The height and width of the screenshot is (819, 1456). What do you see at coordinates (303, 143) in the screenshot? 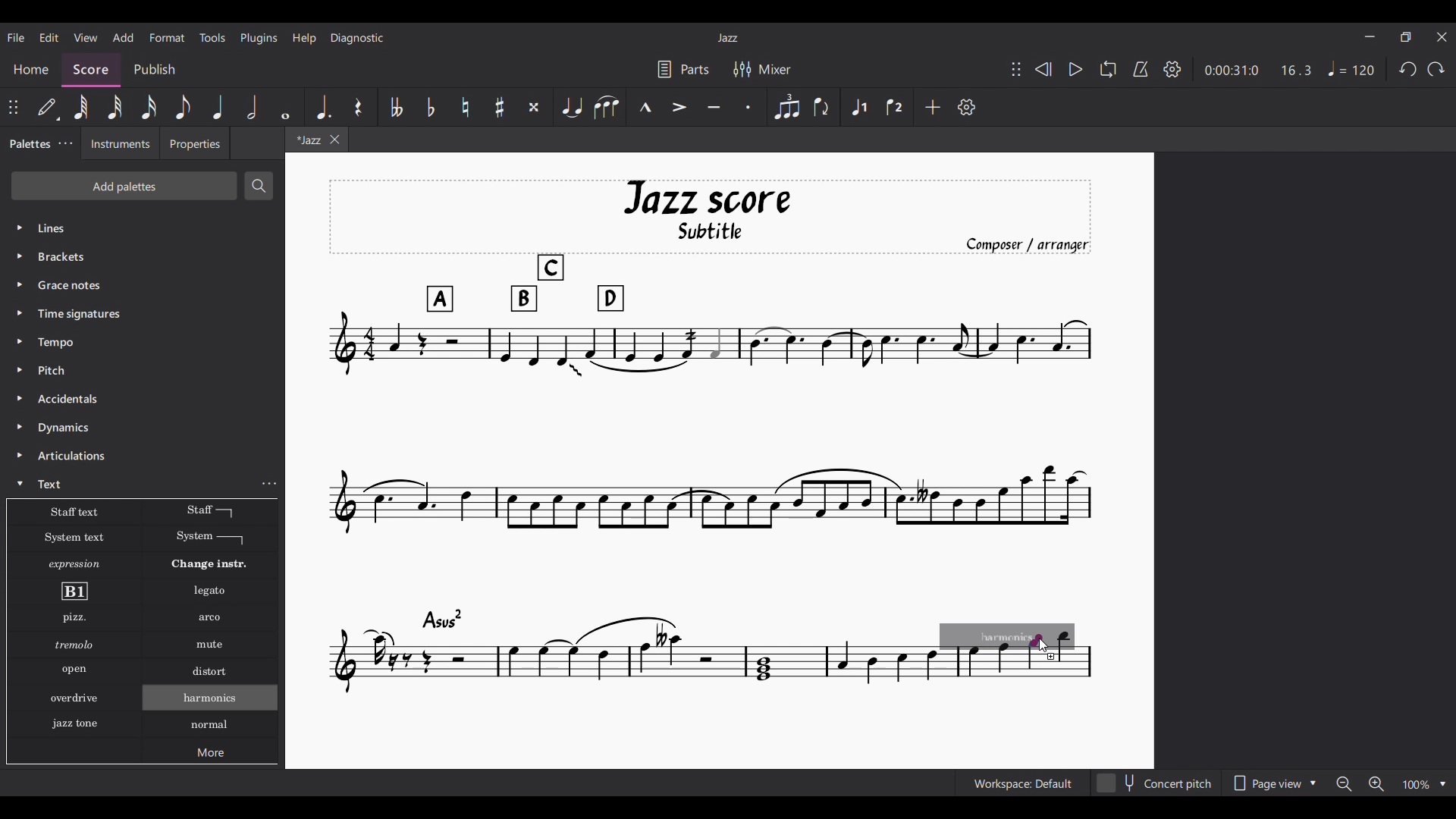
I see `Current tab` at bounding box center [303, 143].